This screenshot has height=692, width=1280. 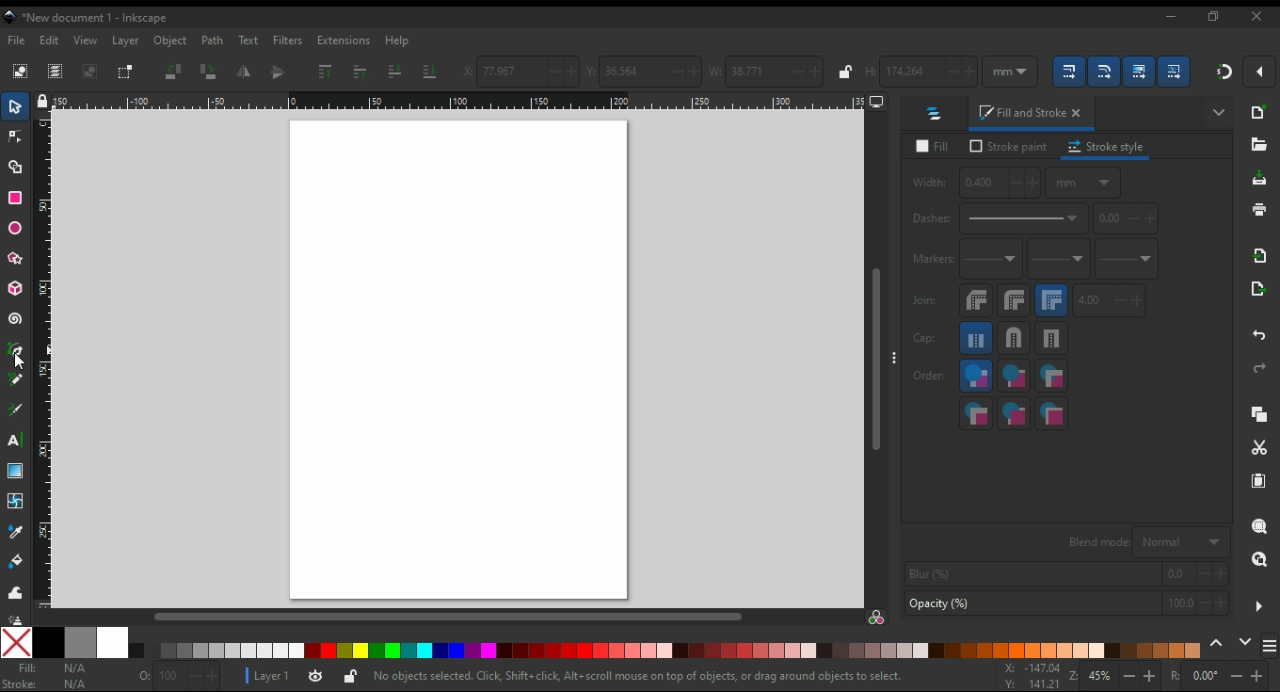 I want to click on extensions, so click(x=343, y=43).